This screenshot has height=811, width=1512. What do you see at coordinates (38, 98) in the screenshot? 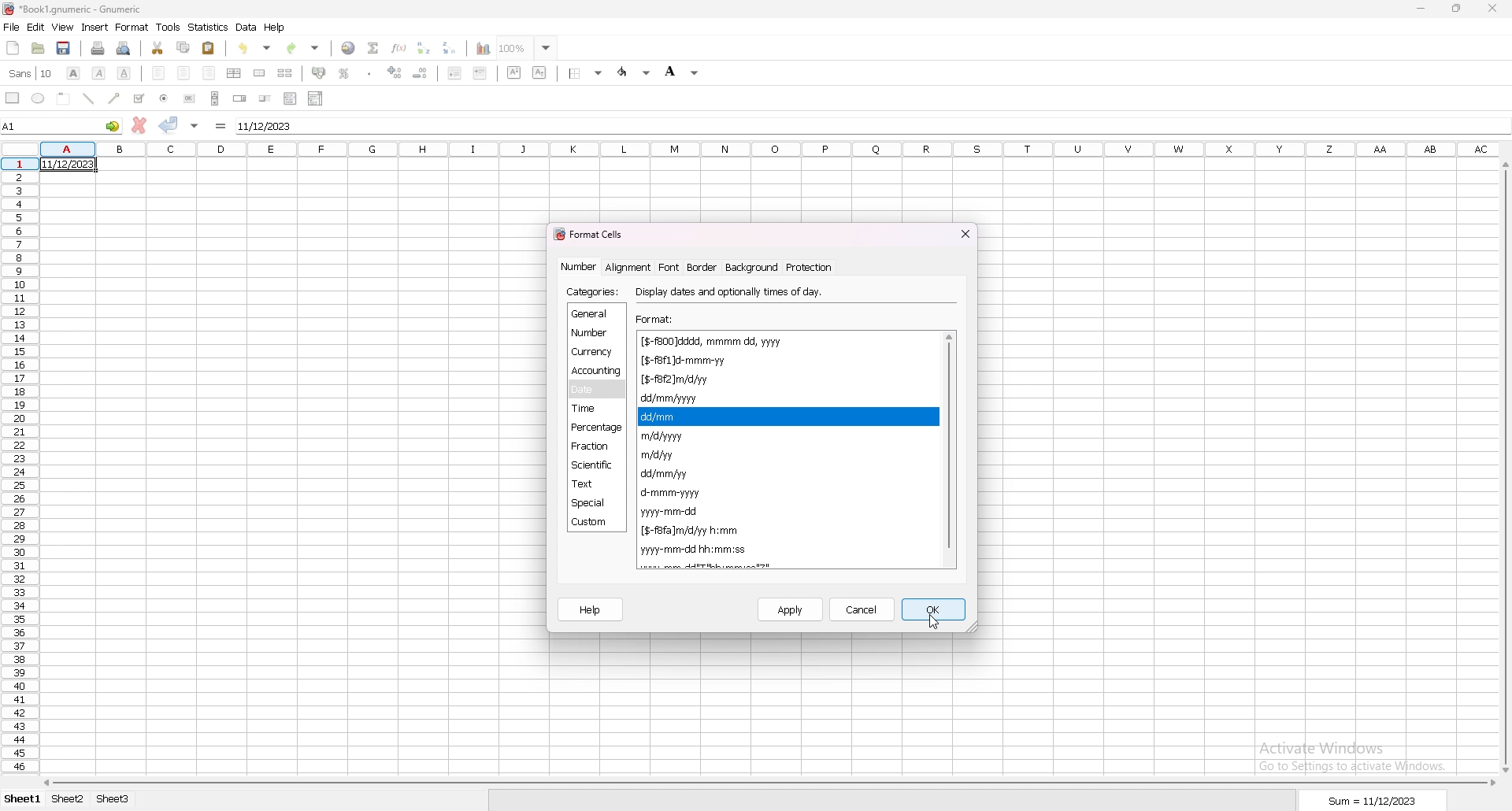
I see `ellipse` at bounding box center [38, 98].